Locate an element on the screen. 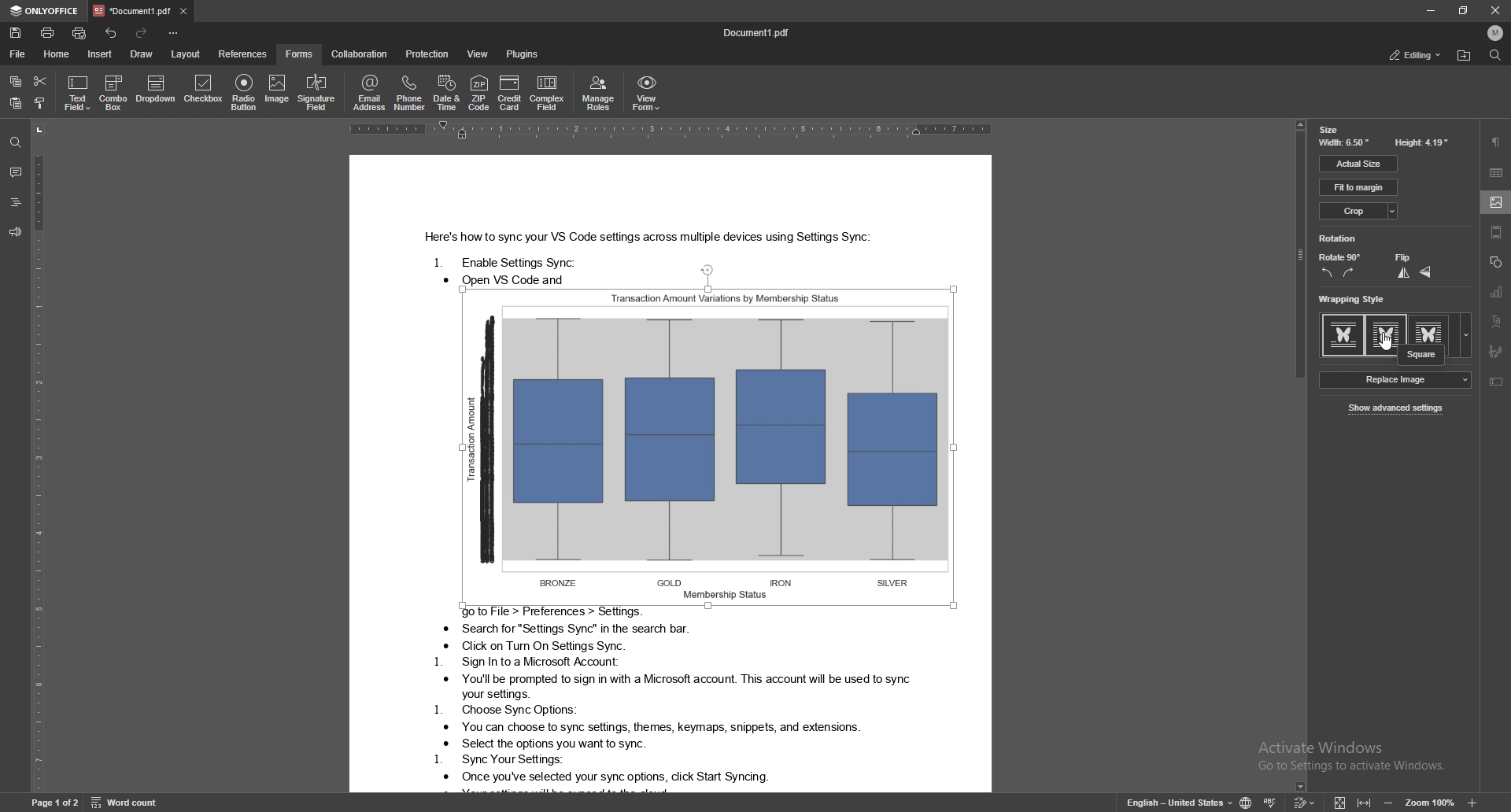  zoom is located at coordinates (1430, 802).